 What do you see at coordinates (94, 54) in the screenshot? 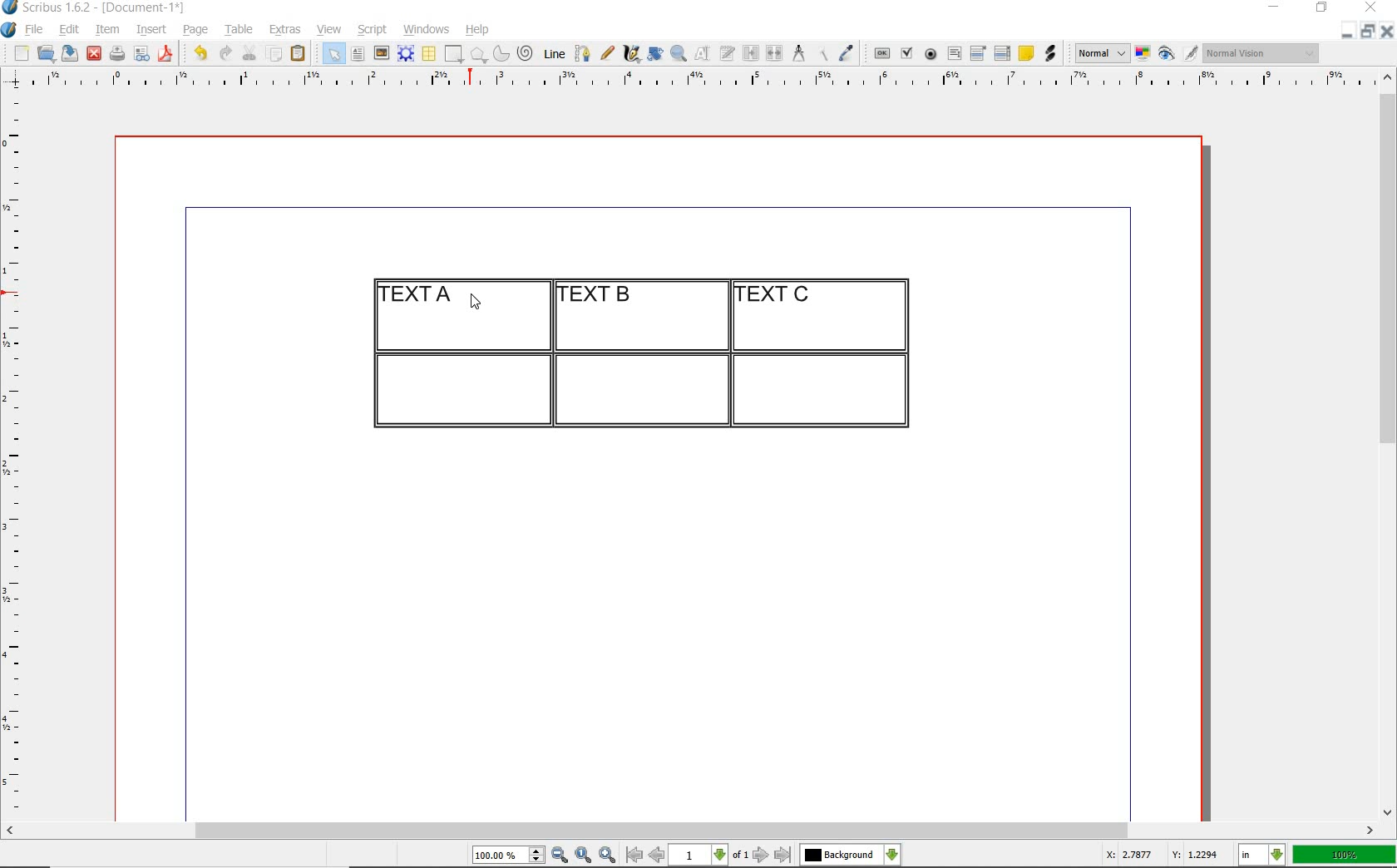
I see `close` at bounding box center [94, 54].